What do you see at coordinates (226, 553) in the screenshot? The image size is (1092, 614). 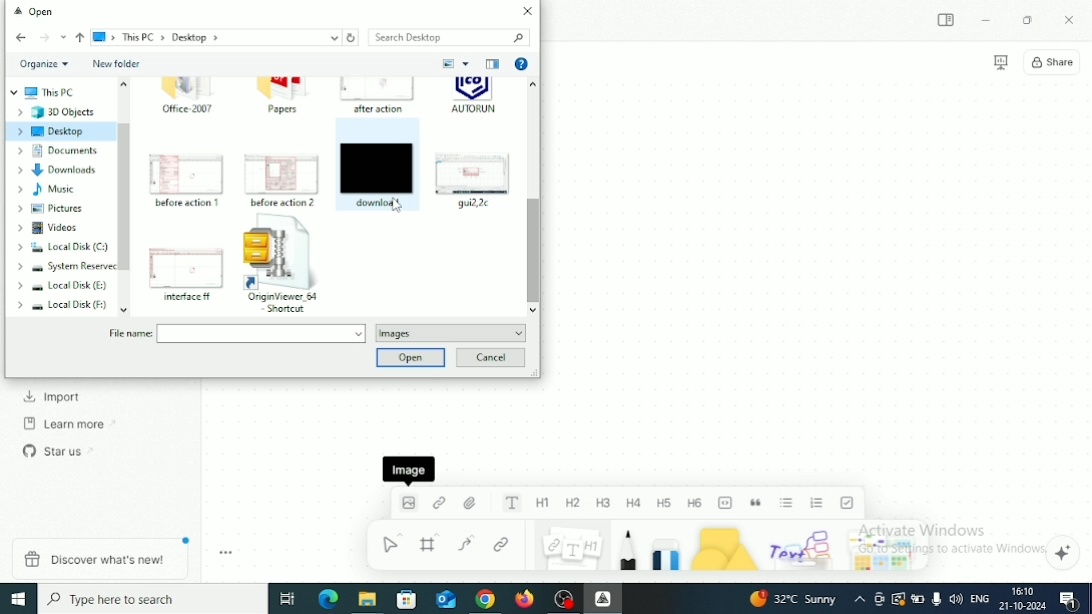 I see `Toggle zoom tool bar` at bounding box center [226, 553].